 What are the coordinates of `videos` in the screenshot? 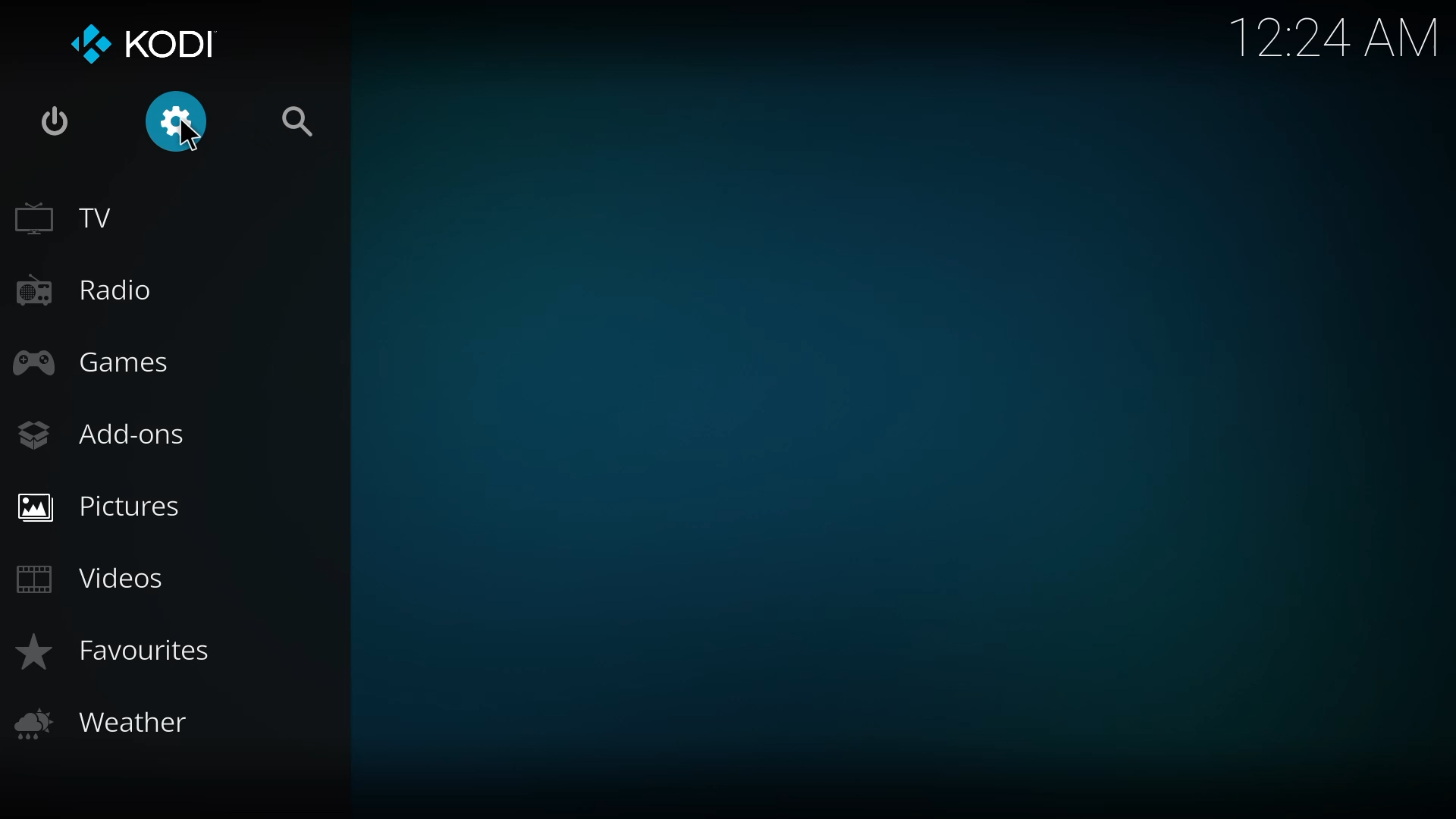 It's located at (88, 582).